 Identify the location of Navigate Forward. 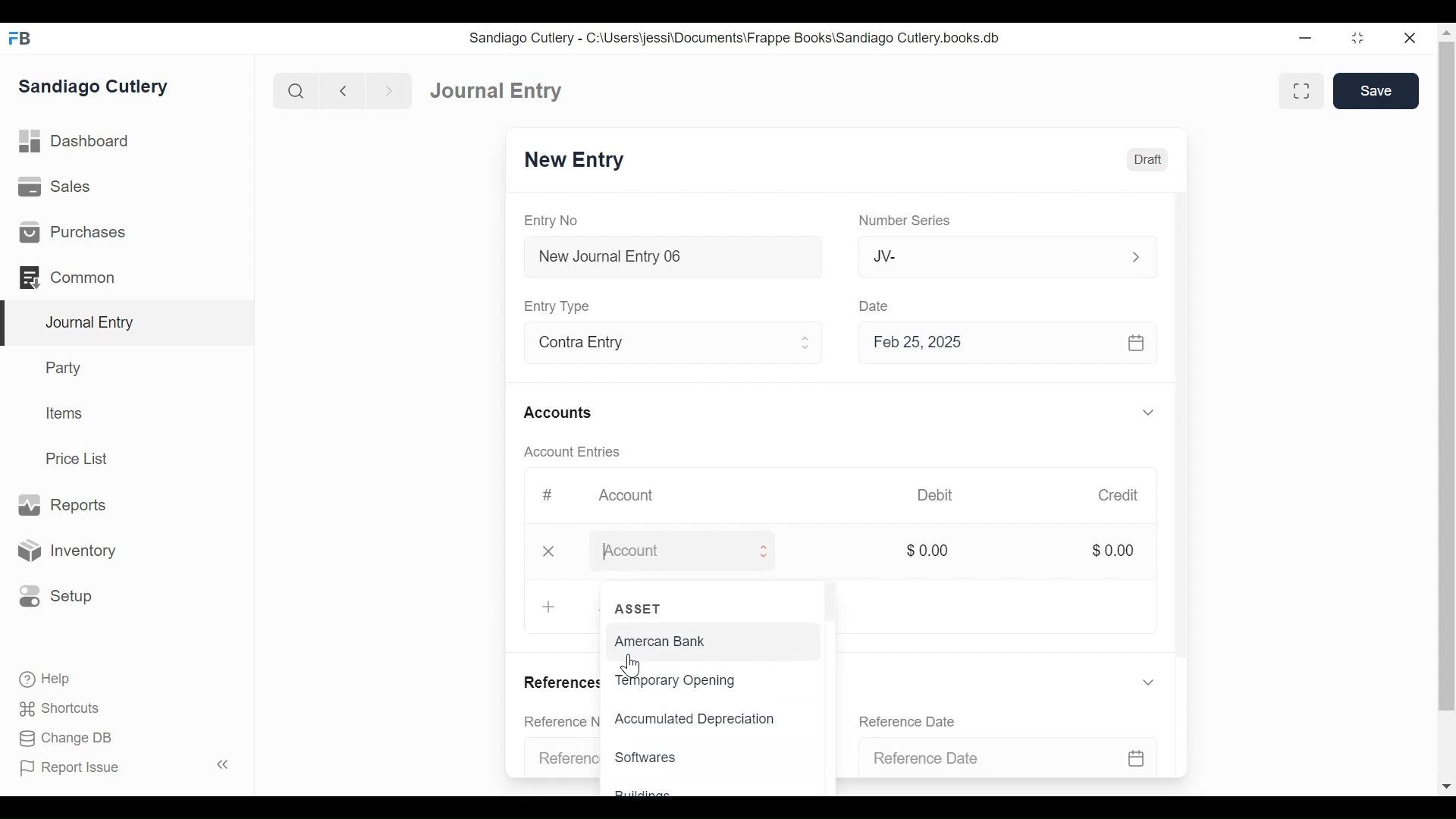
(390, 92).